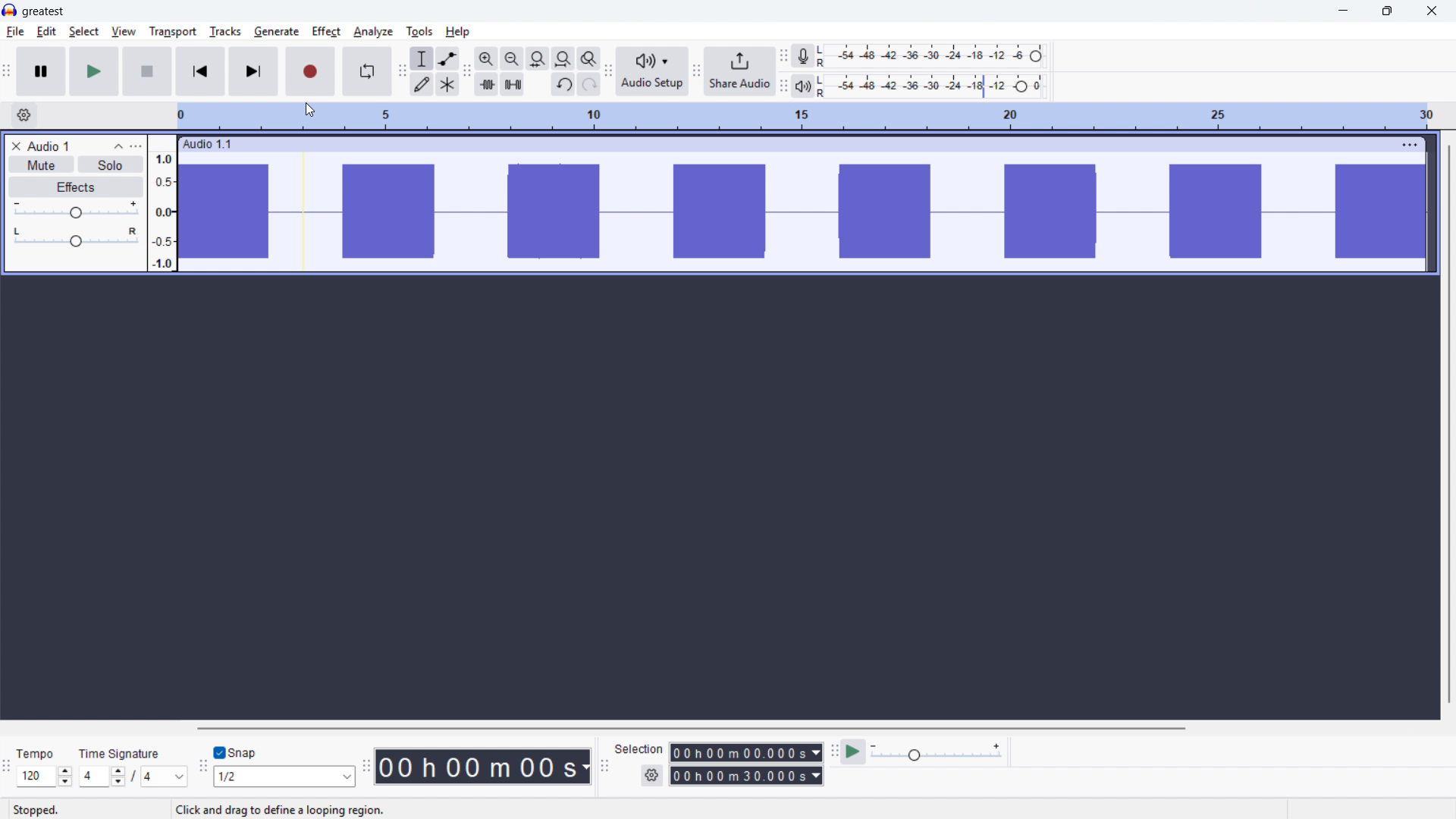  Describe the element at coordinates (607, 74) in the screenshot. I see `audio setup toolbar` at that location.